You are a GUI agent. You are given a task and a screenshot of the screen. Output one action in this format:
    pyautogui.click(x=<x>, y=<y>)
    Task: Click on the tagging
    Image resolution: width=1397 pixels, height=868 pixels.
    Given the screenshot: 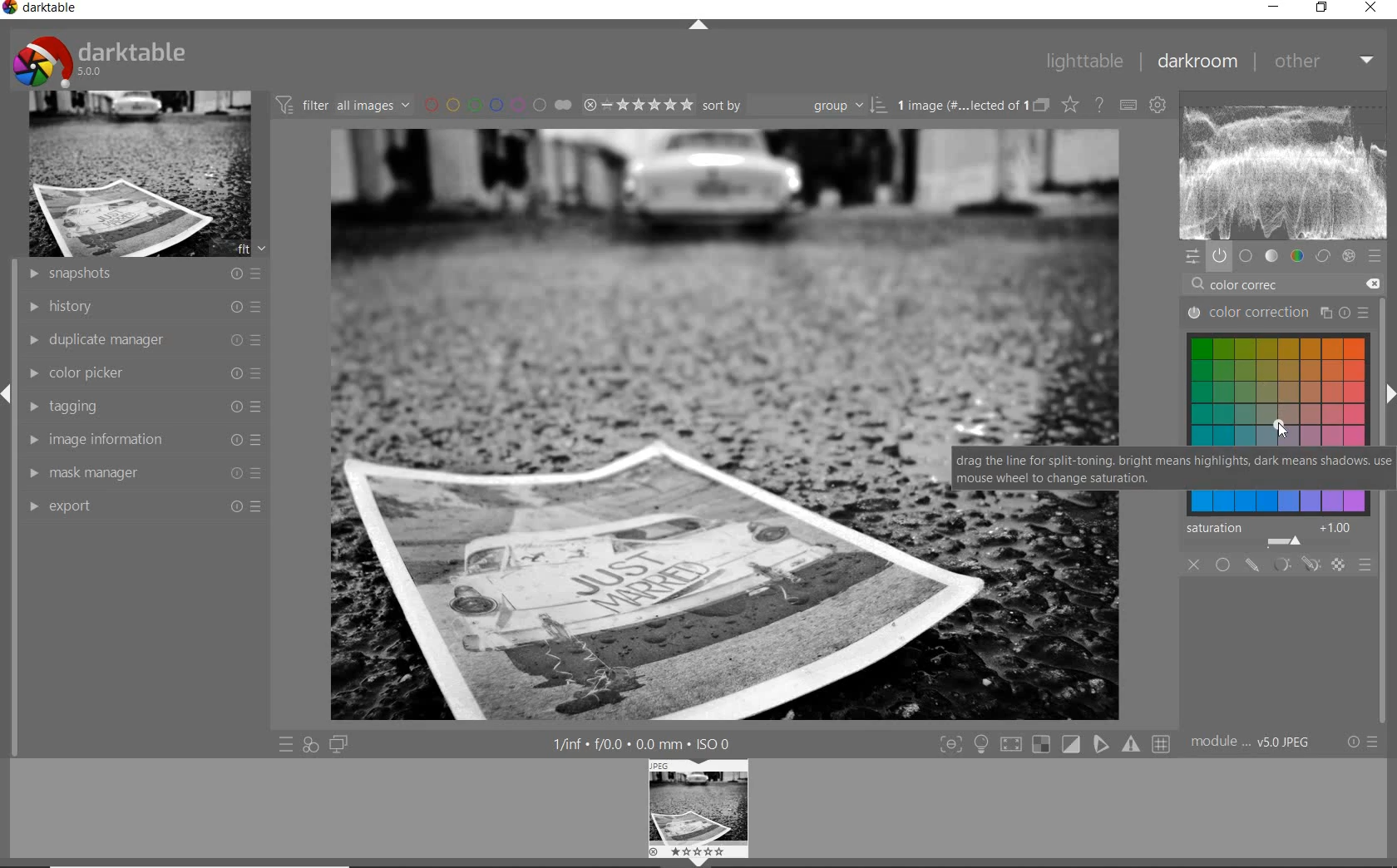 What is the action you would take?
    pyautogui.click(x=142, y=409)
    